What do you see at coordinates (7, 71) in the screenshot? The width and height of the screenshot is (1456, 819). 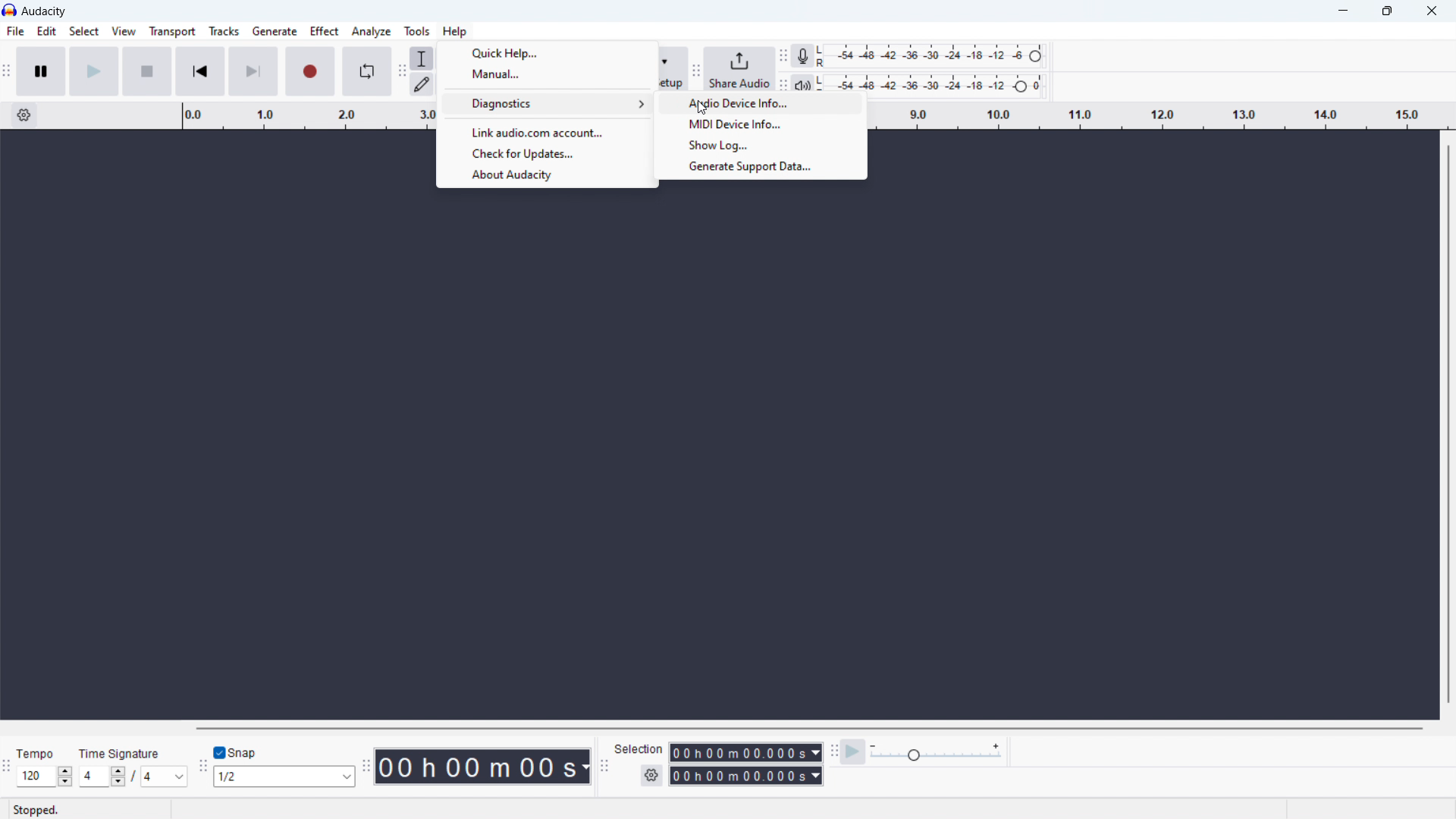 I see `transort toolbar` at bounding box center [7, 71].